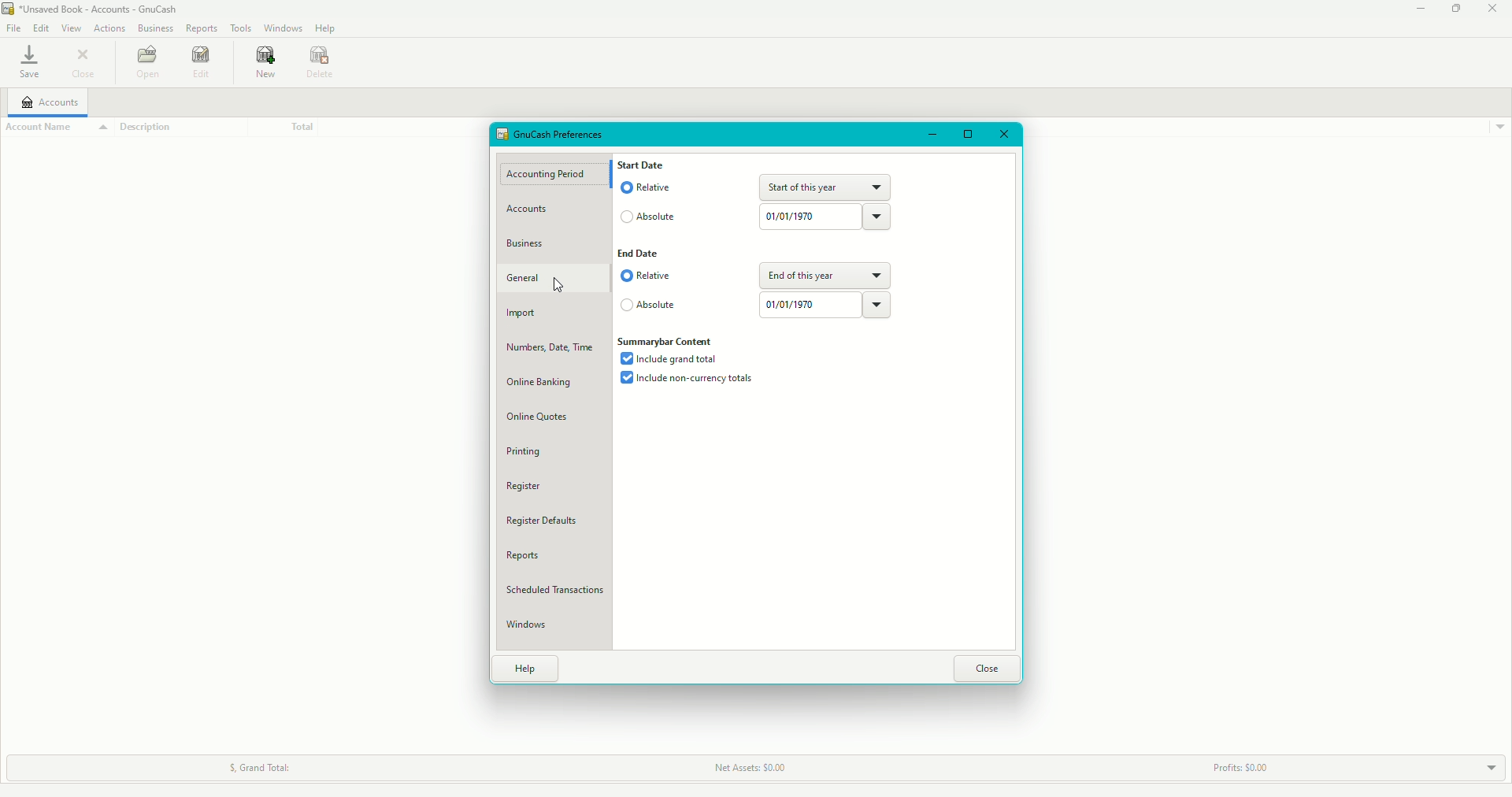 The image size is (1512, 797). Describe the element at coordinates (1004, 134) in the screenshot. I see `Close` at that location.